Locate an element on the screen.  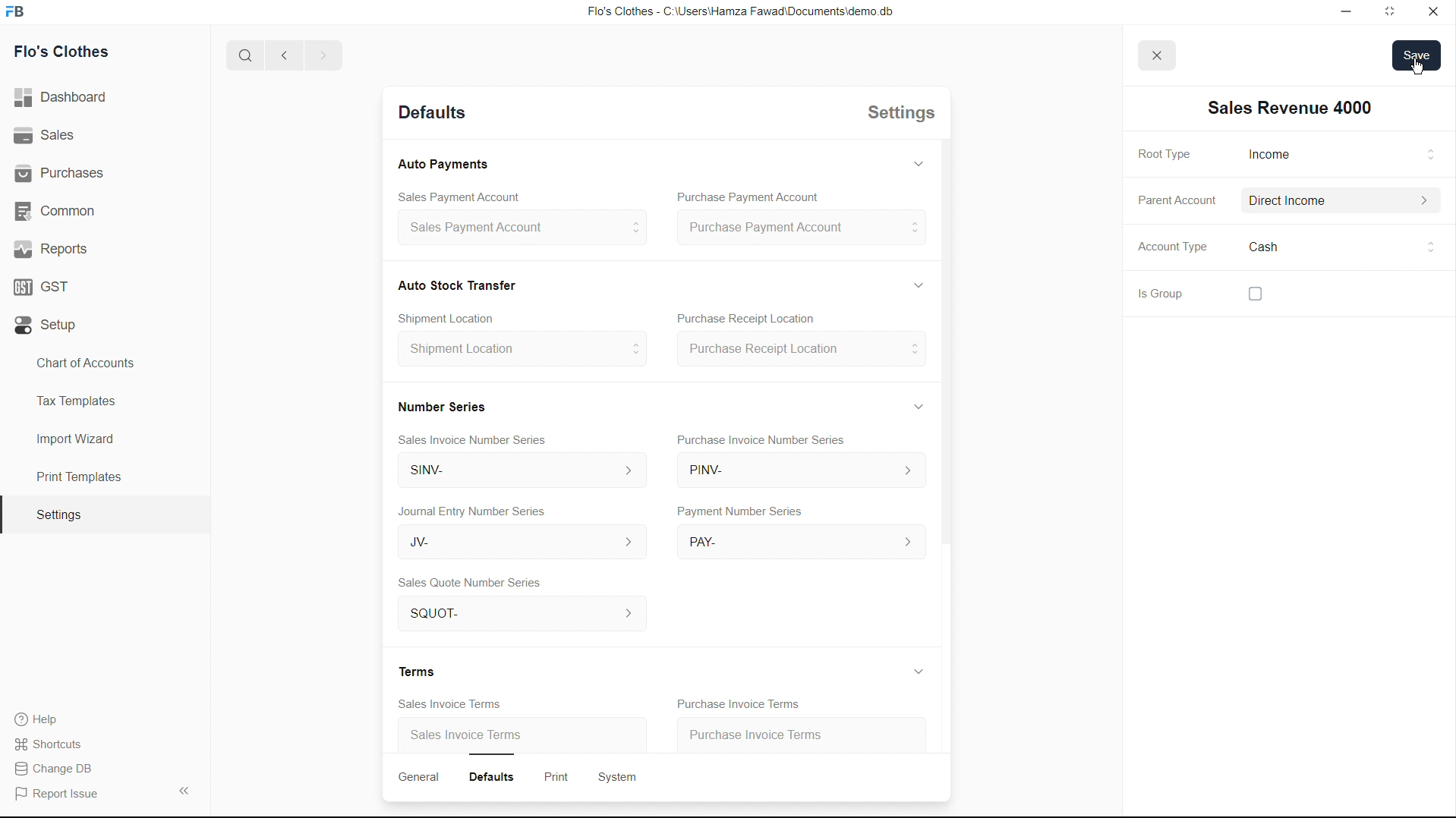
Sales Invoice Terms is located at coordinates (442, 703).